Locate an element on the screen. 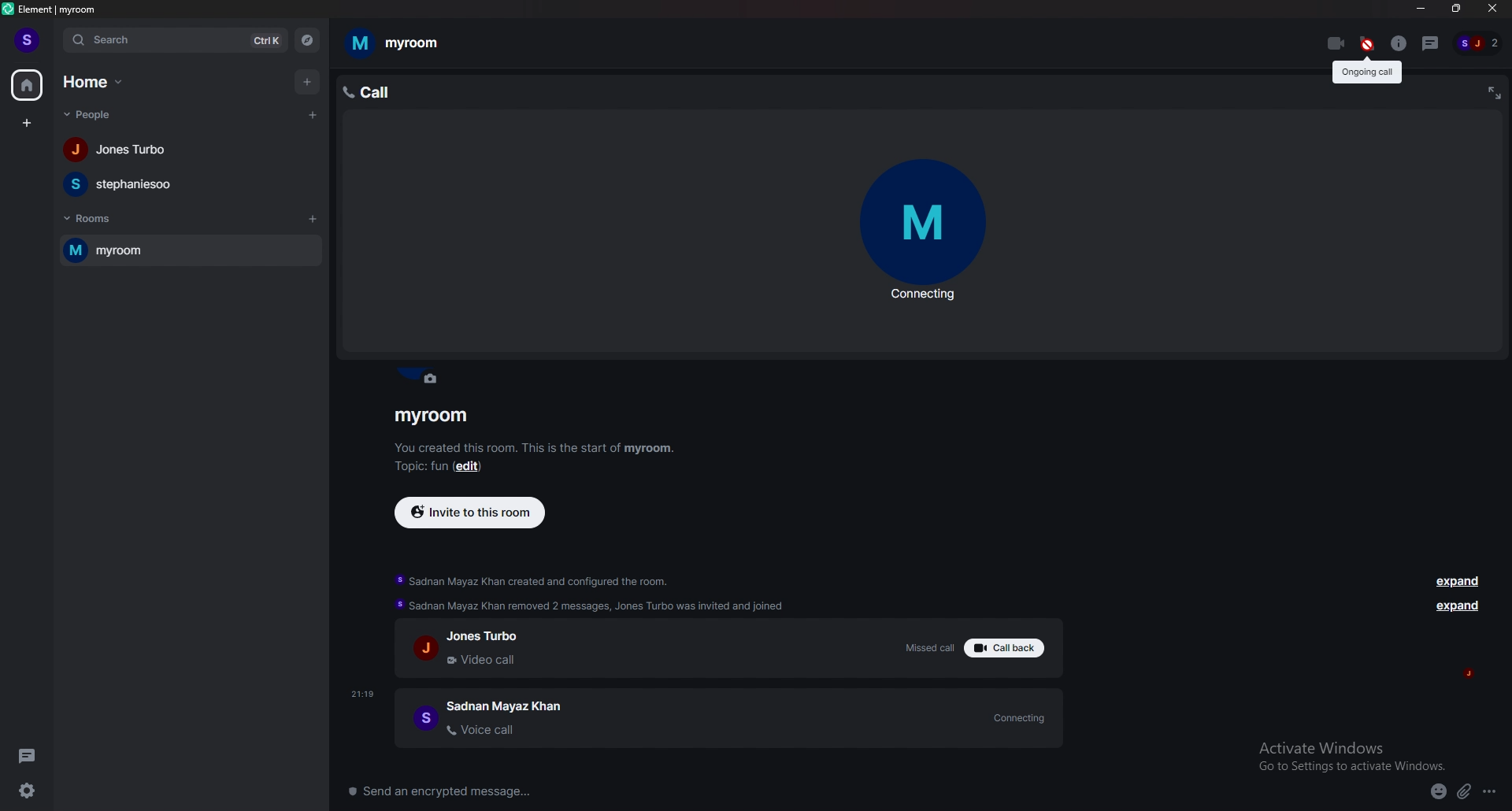  cursor is located at coordinates (1368, 56).